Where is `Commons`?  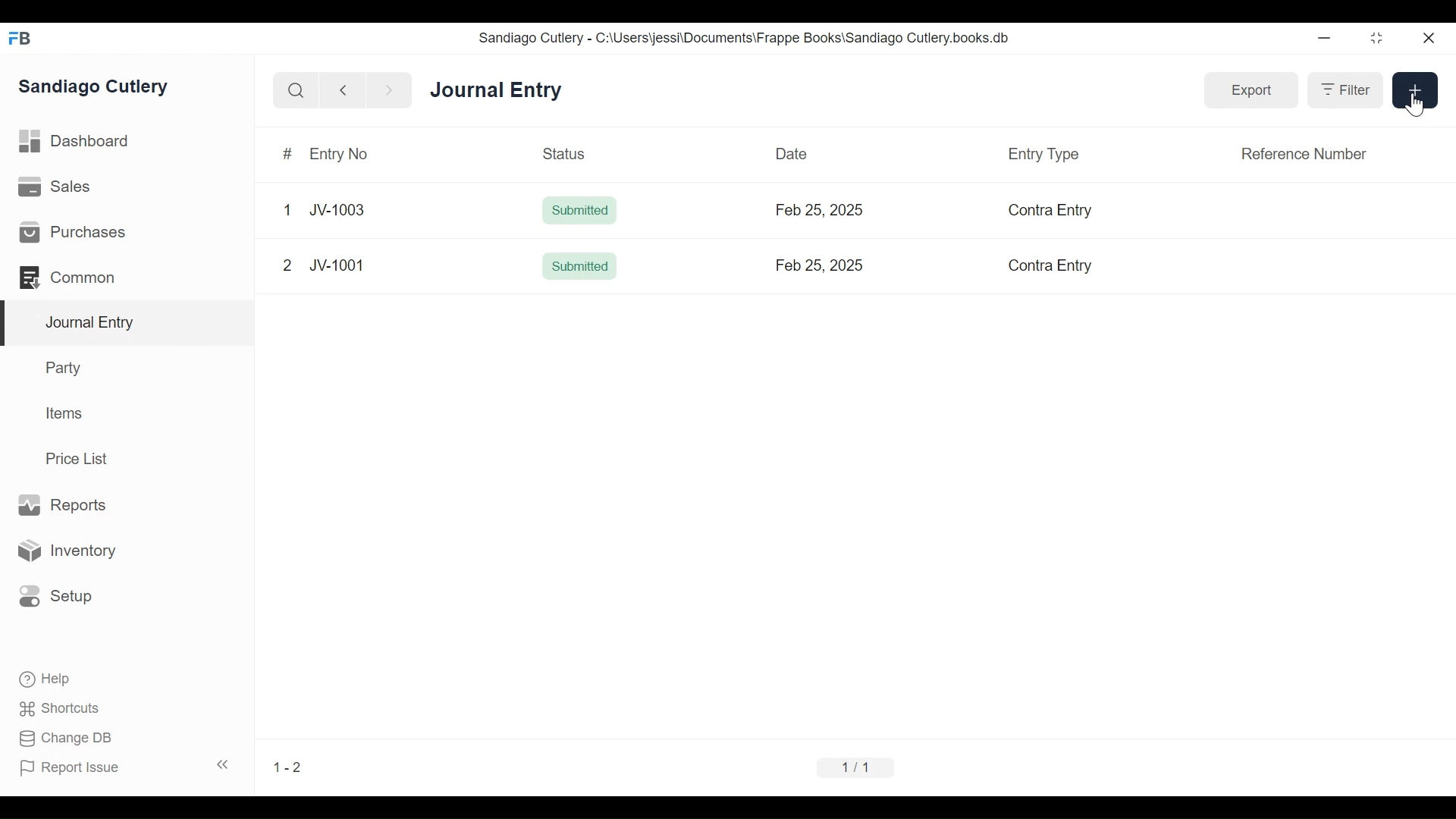
Commons is located at coordinates (66, 277).